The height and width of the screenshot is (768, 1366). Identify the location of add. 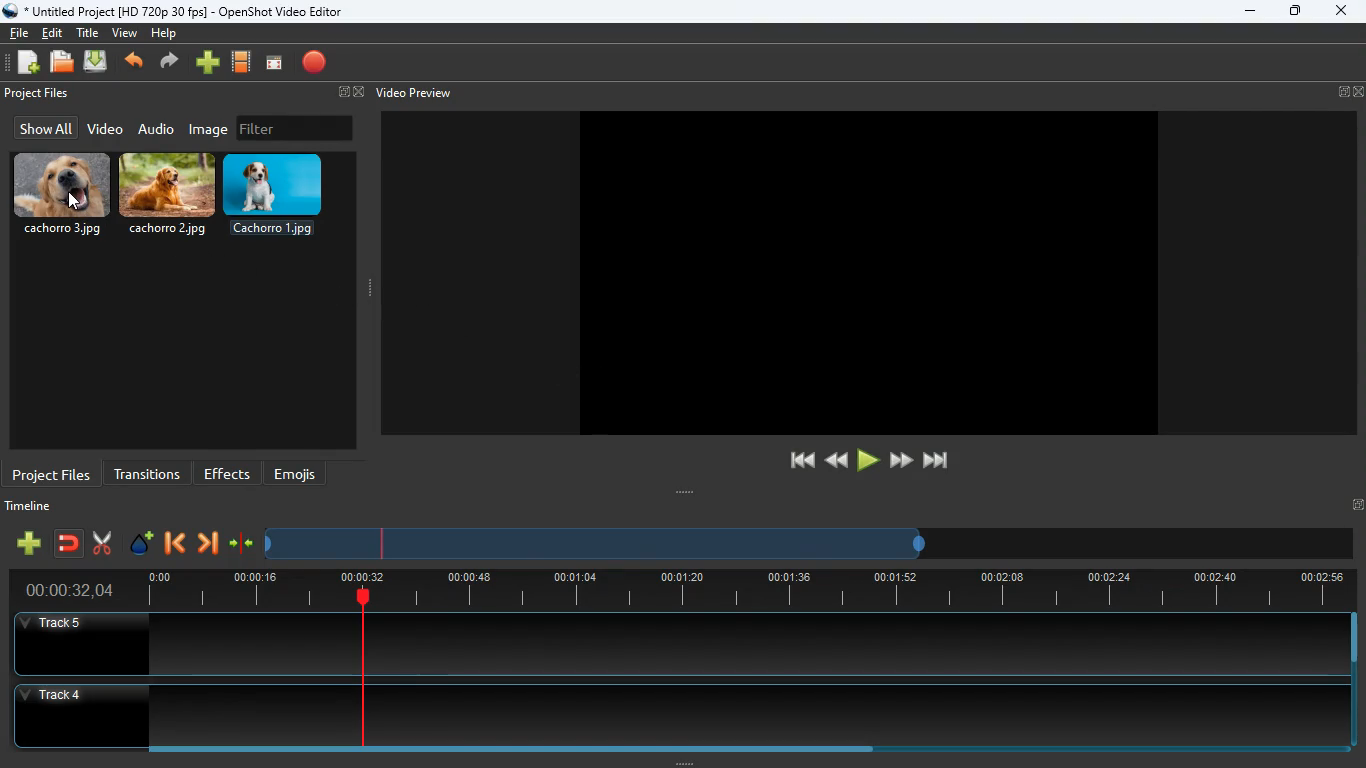
(28, 543).